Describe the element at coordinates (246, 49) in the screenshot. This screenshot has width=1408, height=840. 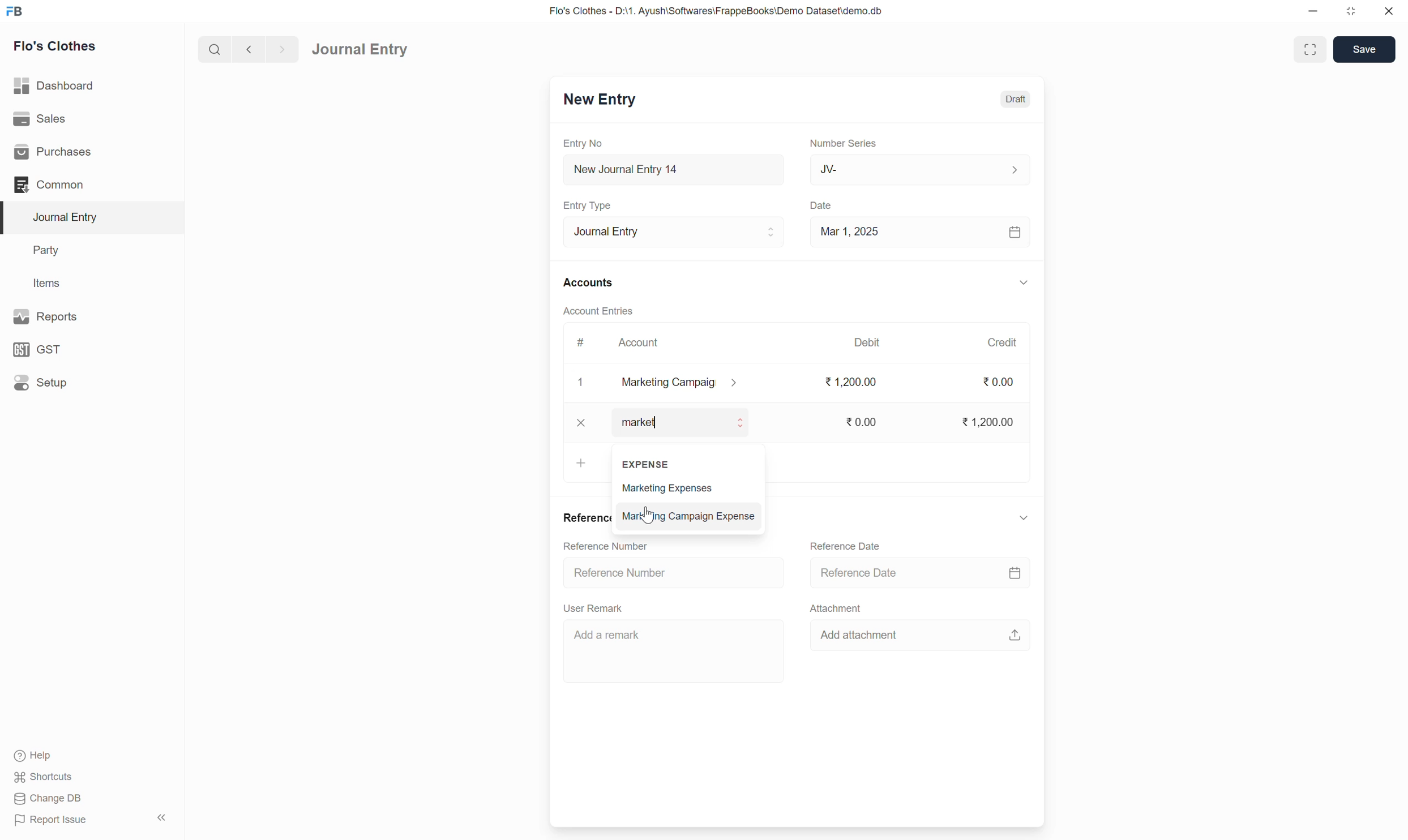
I see `back` at that location.